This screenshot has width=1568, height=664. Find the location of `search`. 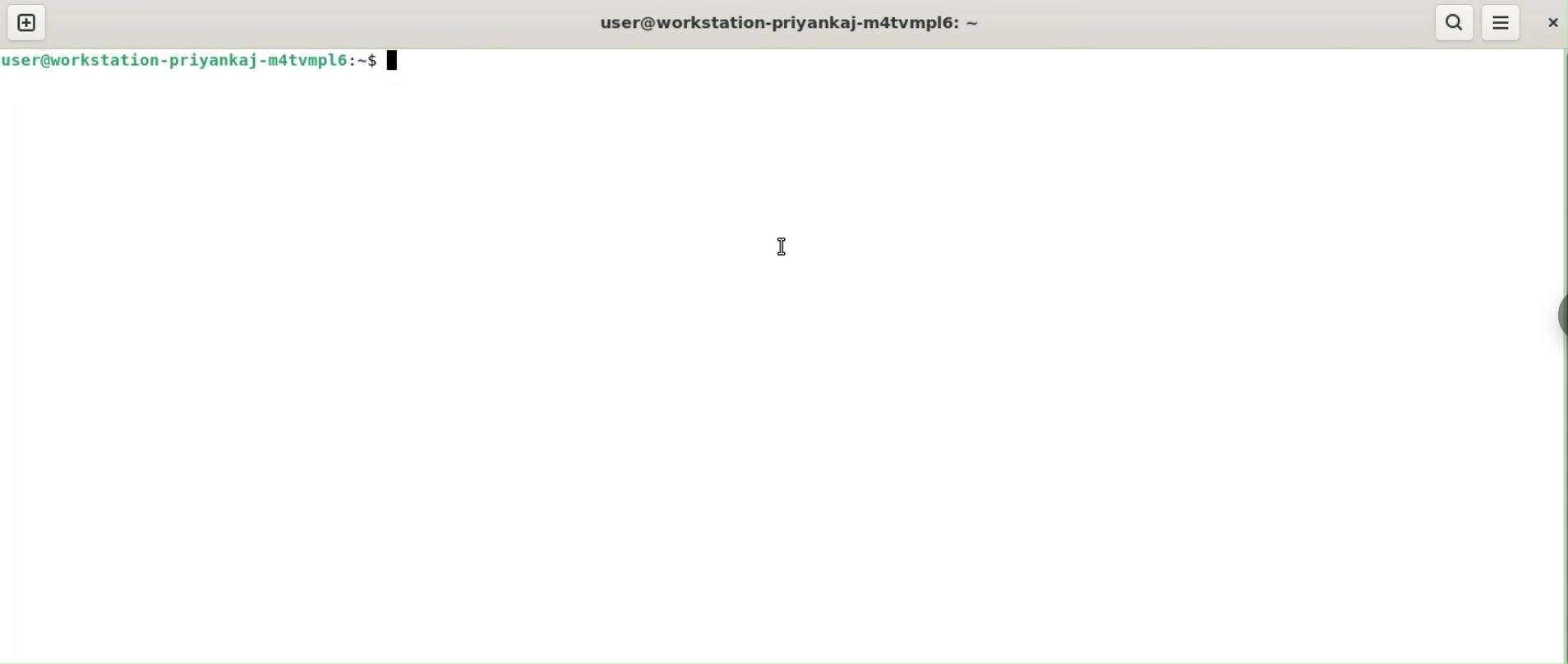

search is located at coordinates (1453, 22).